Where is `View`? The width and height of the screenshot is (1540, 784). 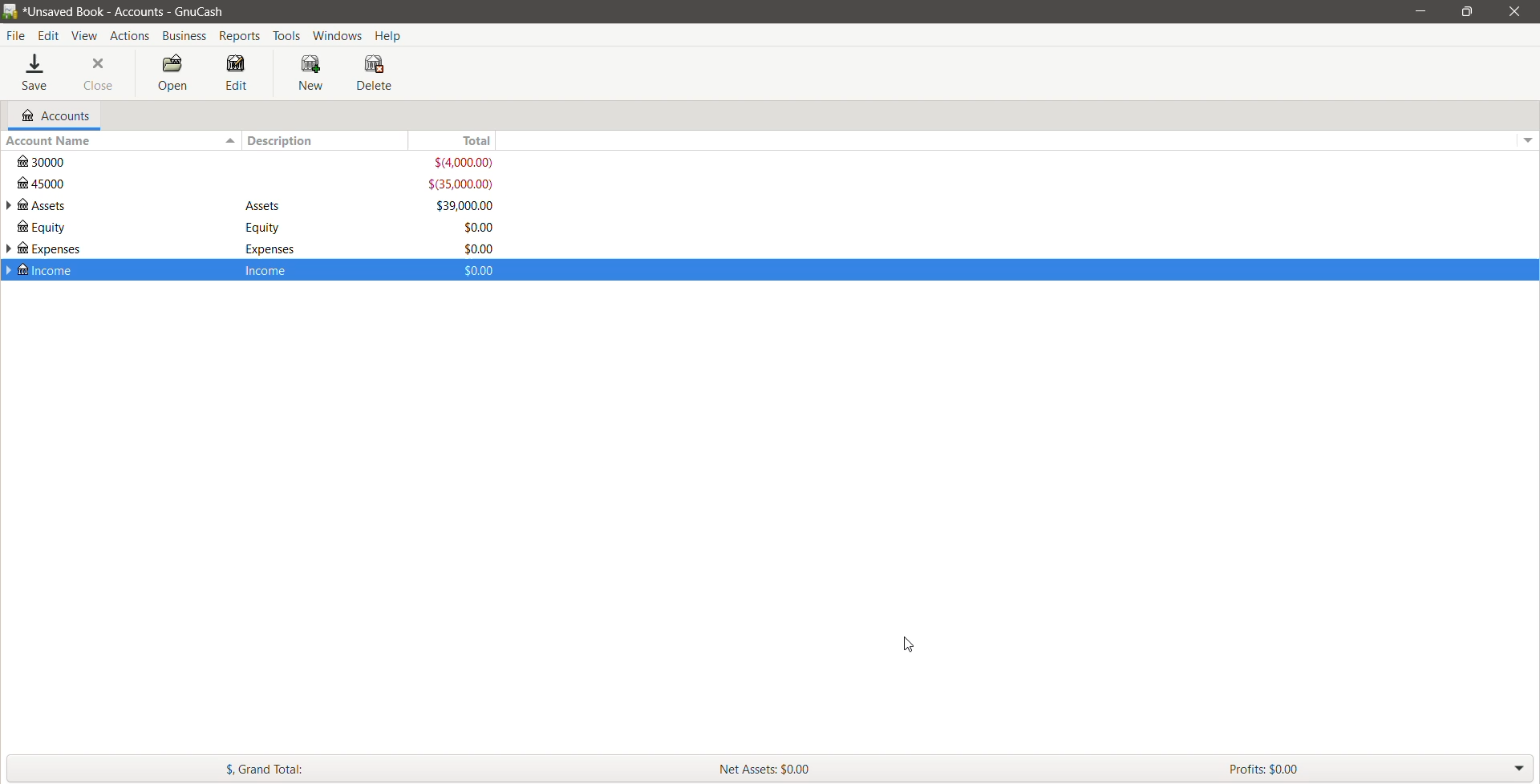
View is located at coordinates (85, 36).